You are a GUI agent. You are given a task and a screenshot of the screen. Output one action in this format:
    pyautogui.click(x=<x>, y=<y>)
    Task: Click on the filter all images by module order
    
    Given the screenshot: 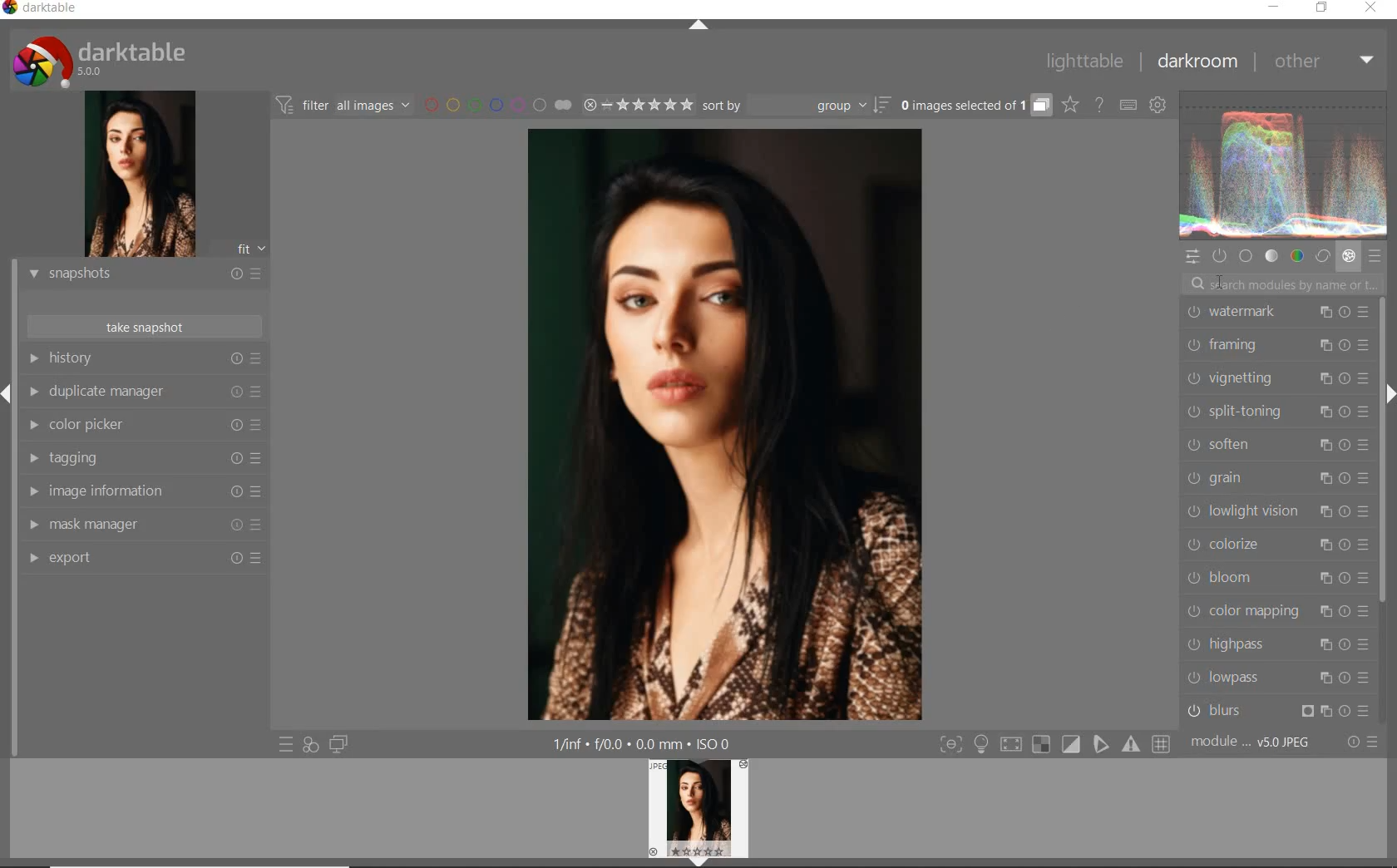 What is the action you would take?
    pyautogui.click(x=344, y=107)
    